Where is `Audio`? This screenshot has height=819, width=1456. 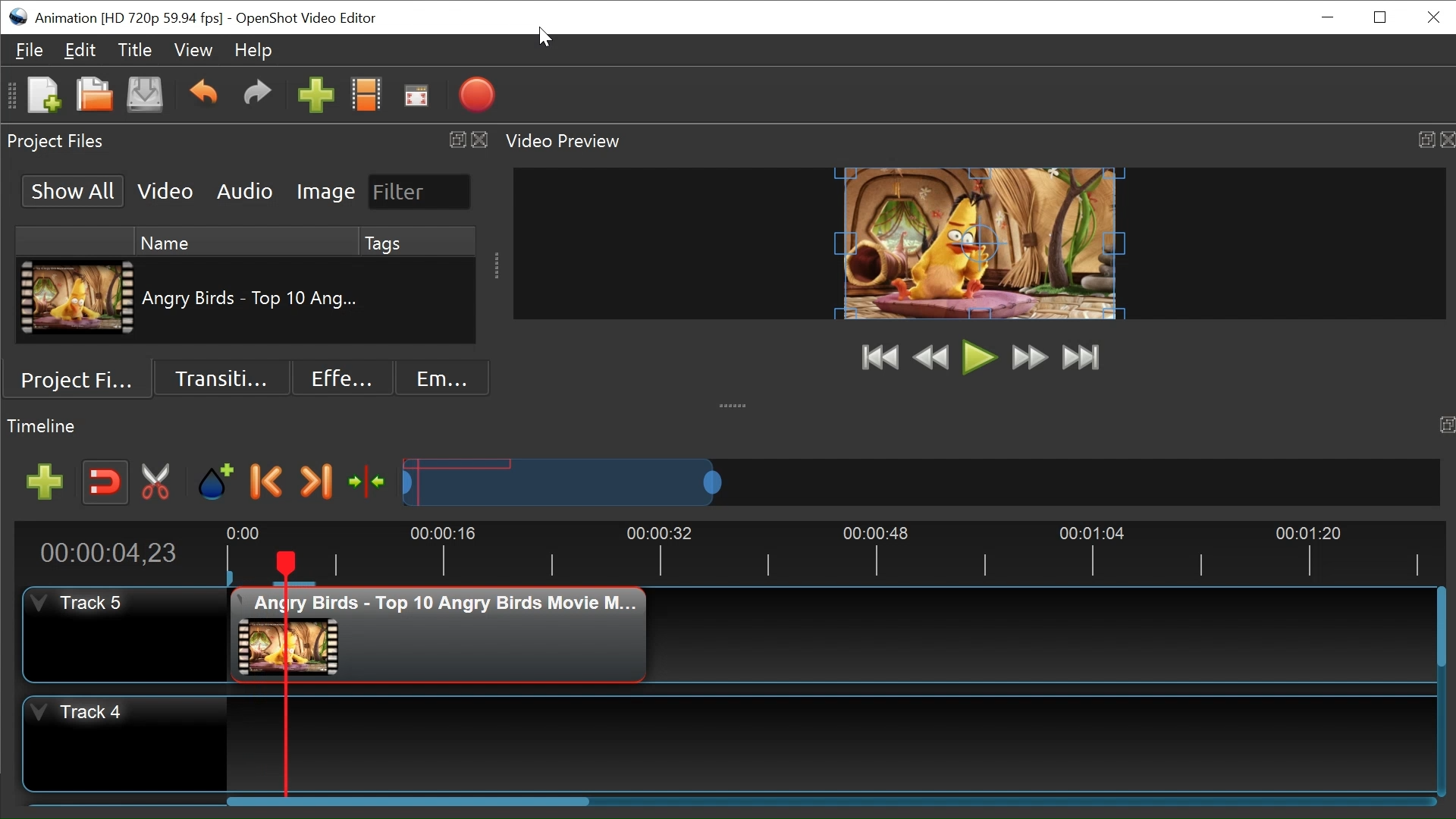 Audio is located at coordinates (247, 190).